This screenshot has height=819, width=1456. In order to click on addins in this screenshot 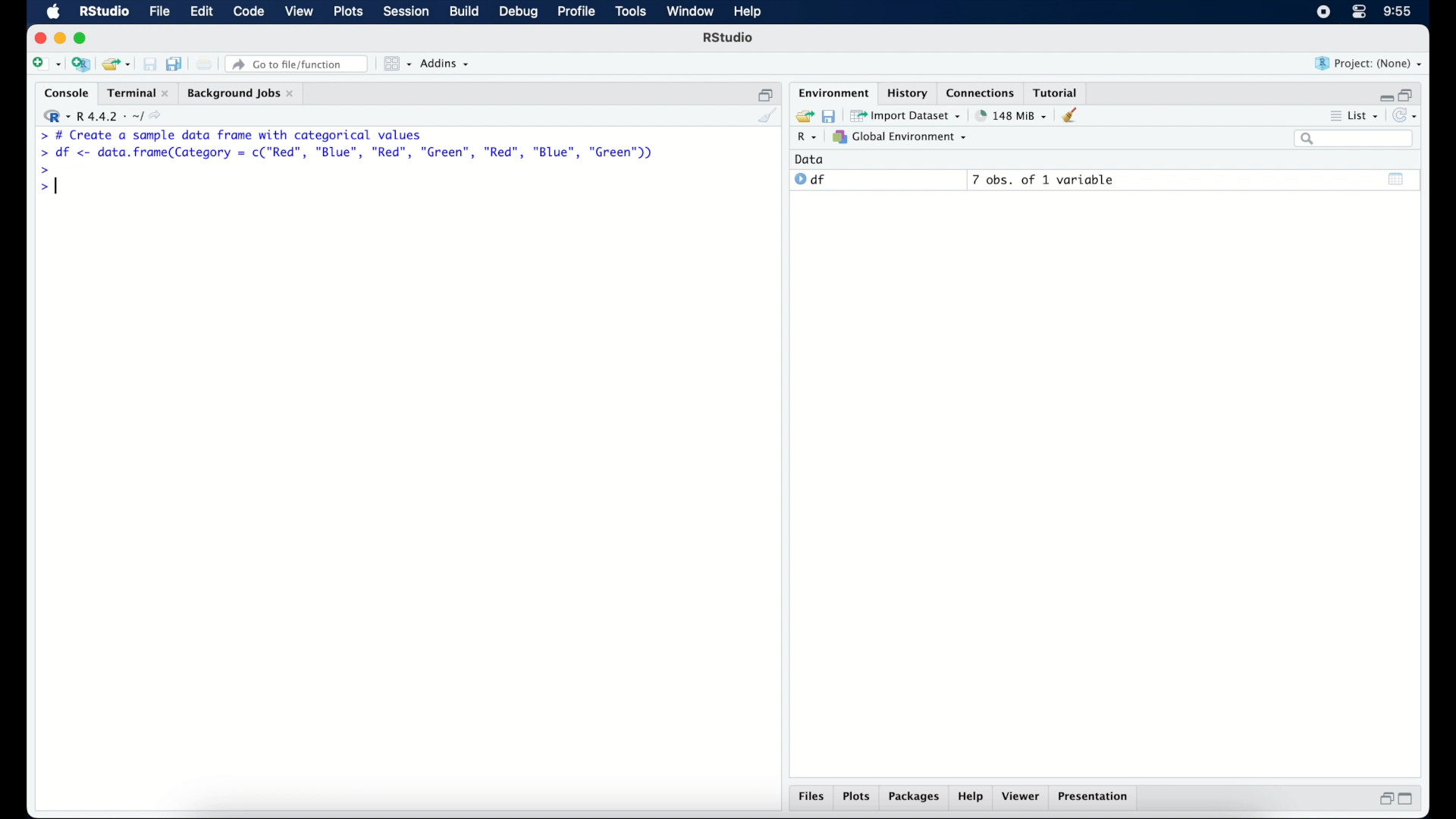, I will do `click(447, 64)`.